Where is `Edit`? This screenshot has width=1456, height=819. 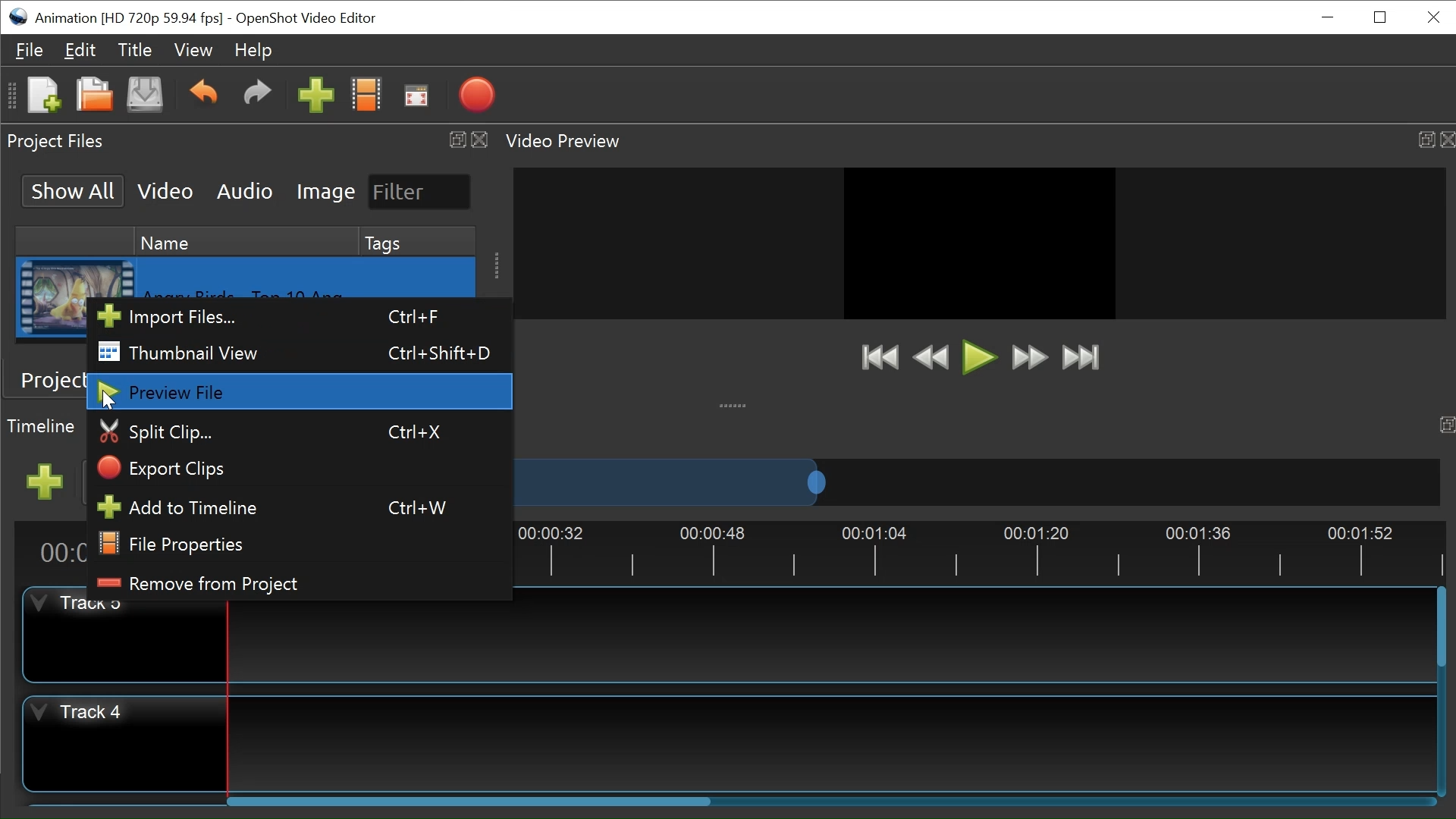
Edit is located at coordinates (81, 51).